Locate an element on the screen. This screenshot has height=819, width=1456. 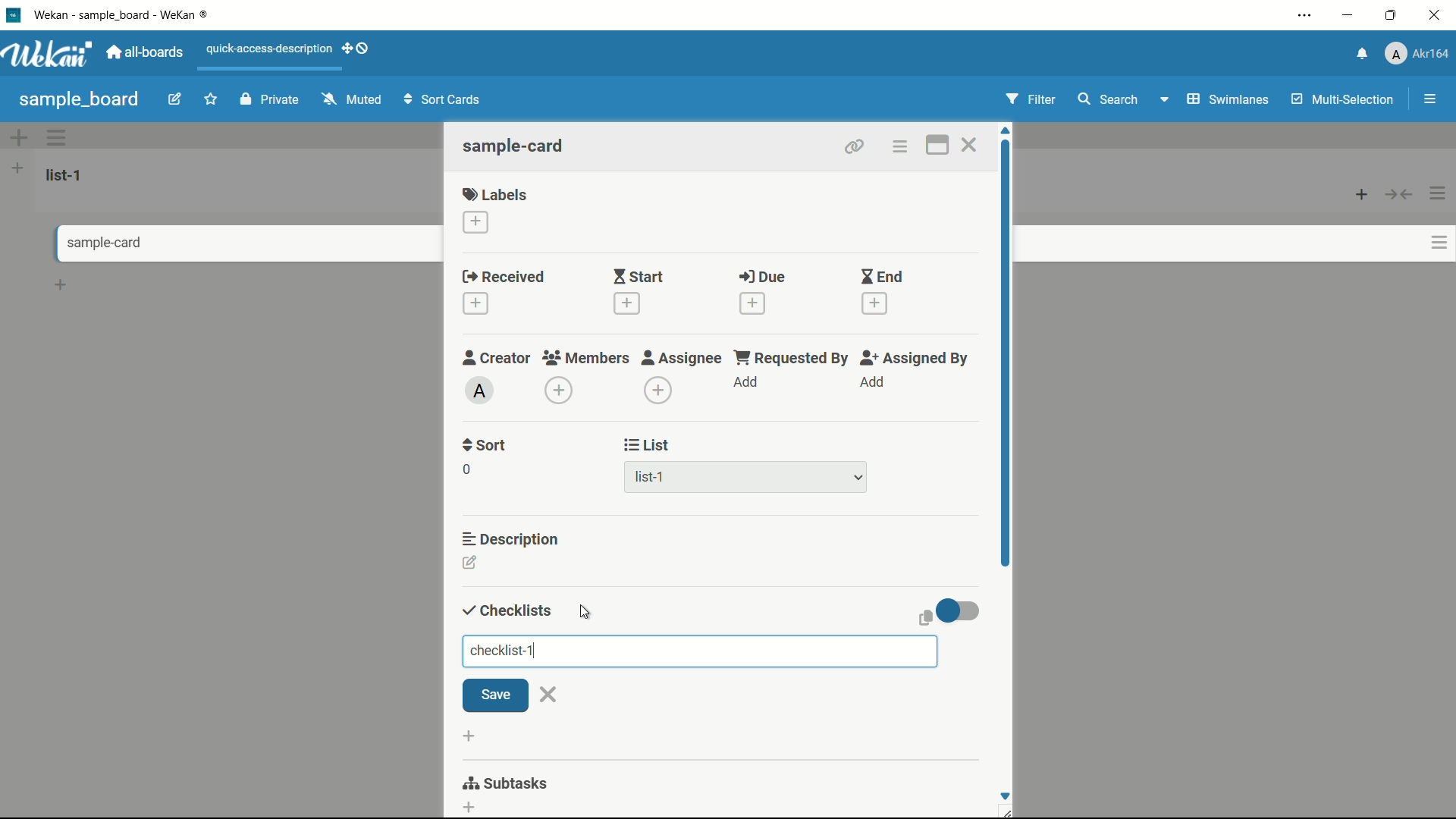
add date is located at coordinates (625, 303).